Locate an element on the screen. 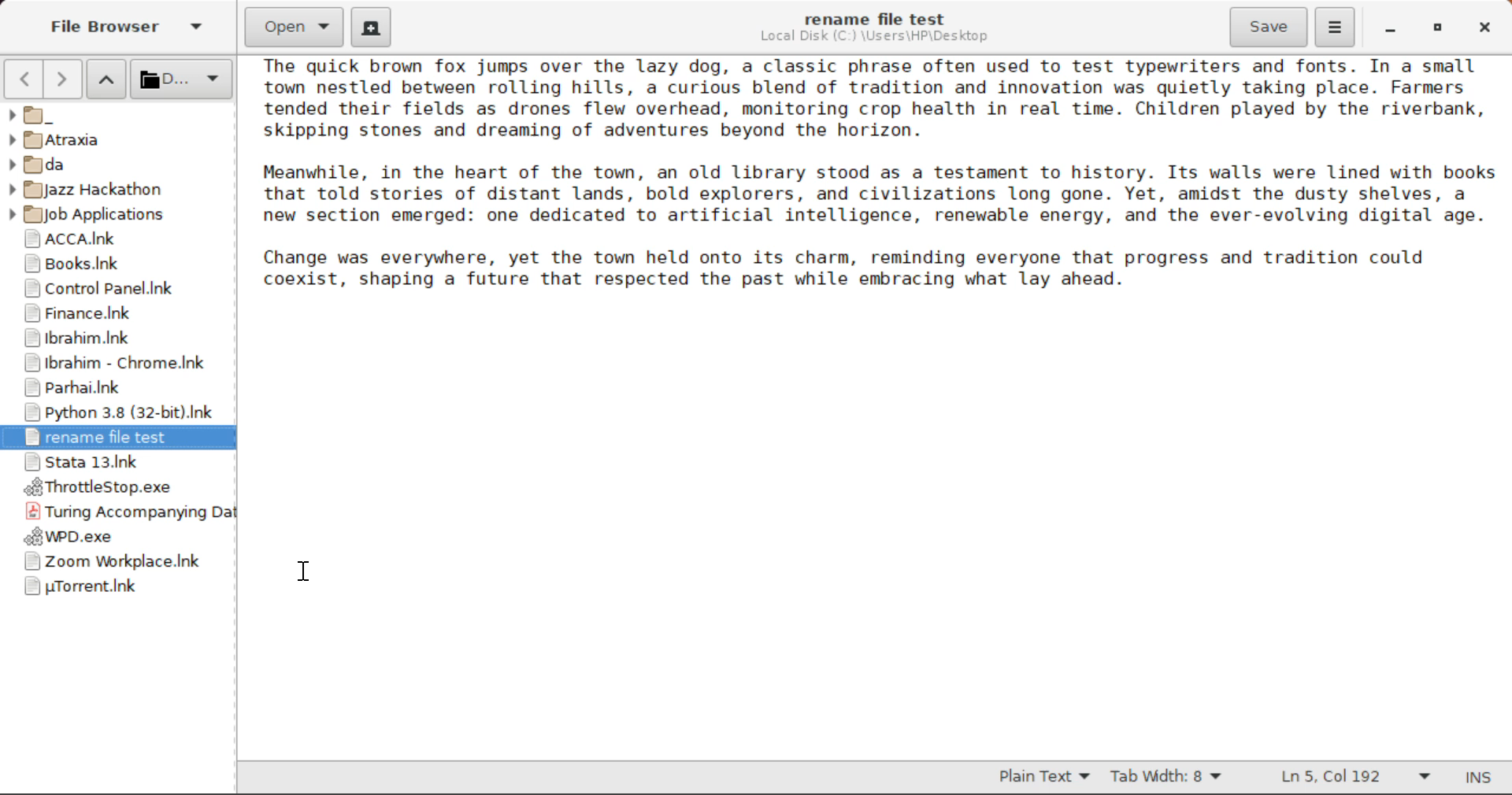 This screenshot has height=795, width=1512. Parhai Folder Shortcut Link is located at coordinates (113, 389).